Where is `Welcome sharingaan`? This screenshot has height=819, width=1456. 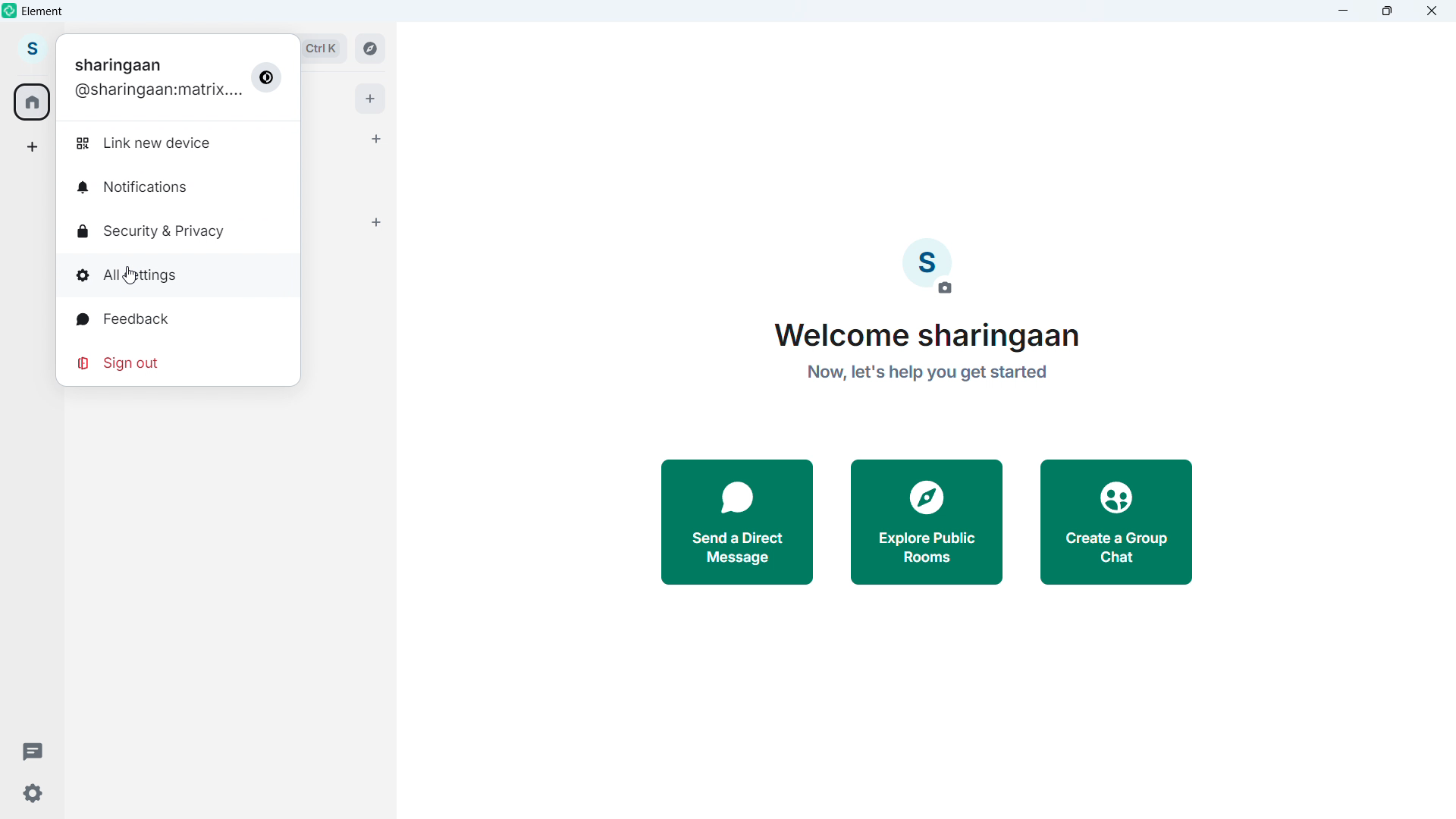
Welcome sharingaan is located at coordinates (924, 337).